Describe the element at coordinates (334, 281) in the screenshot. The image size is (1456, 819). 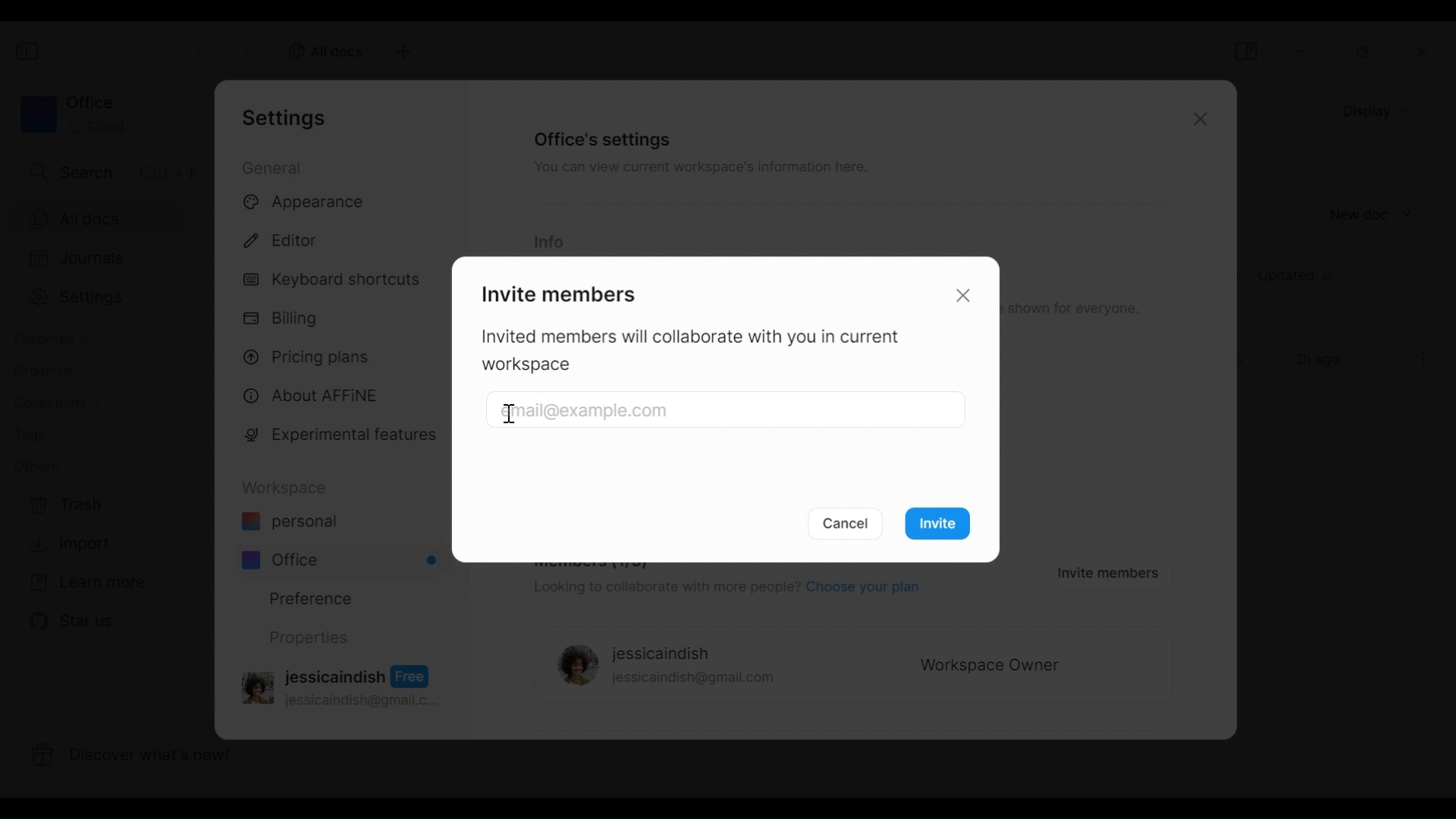
I see `Keyboard shortcuts` at that location.